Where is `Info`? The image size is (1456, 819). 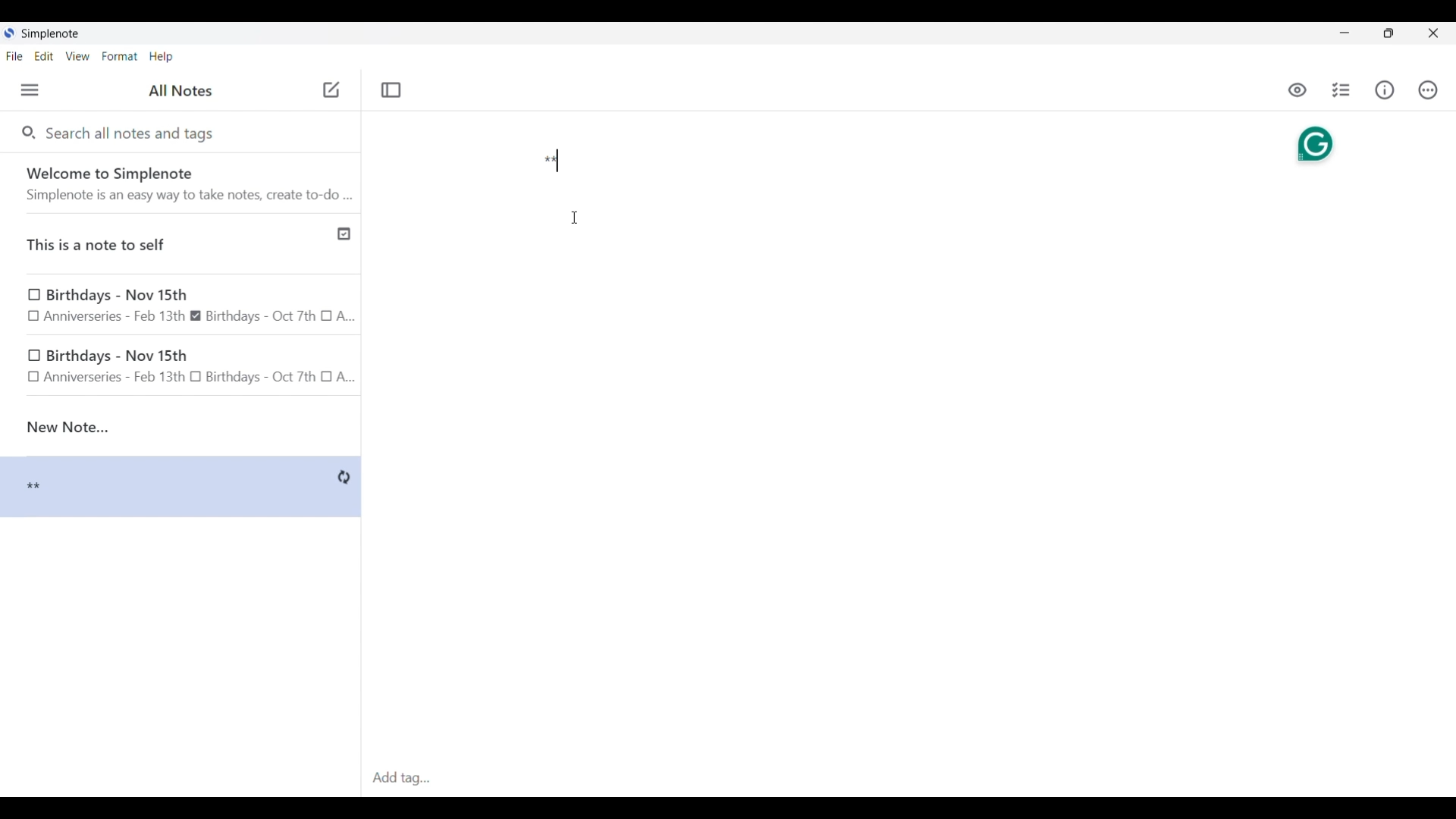 Info is located at coordinates (1385, 89).